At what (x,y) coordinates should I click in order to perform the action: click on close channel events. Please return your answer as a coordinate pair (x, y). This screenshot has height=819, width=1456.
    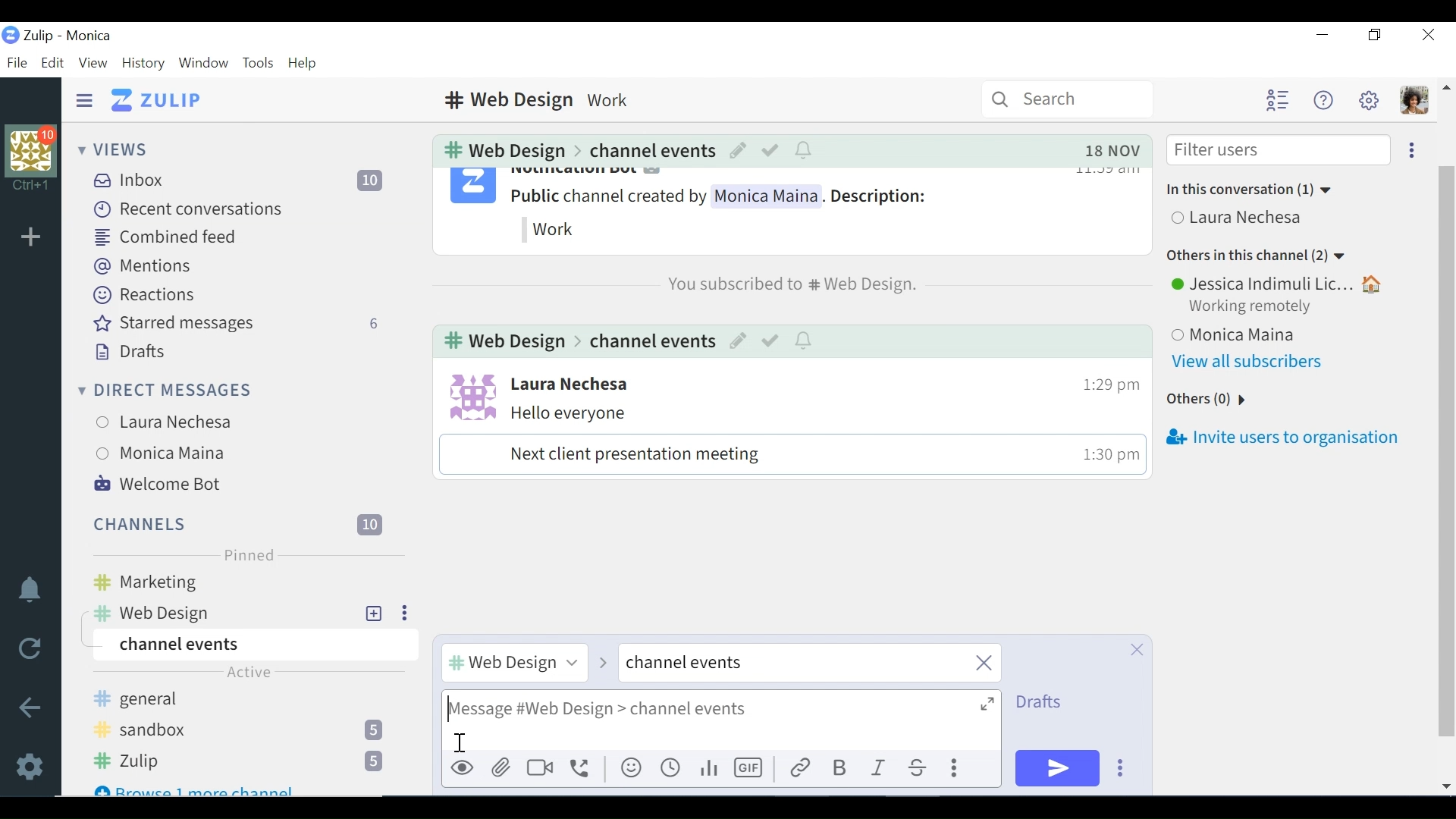
    Looking at the image, I should click on (809, 664).